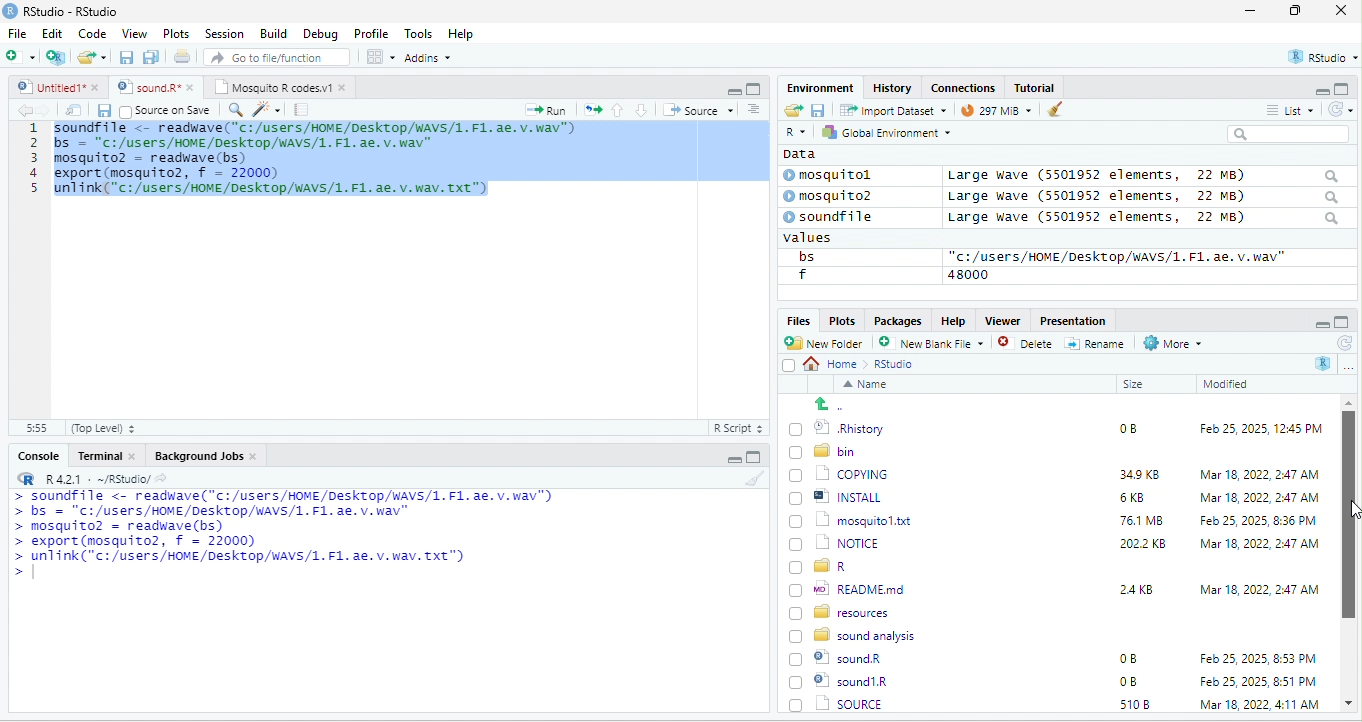 The width and height of the screenshot is (1362, 722). I want to click on Large wave (5501952 elements, 22 MB), so click(1144, 219).